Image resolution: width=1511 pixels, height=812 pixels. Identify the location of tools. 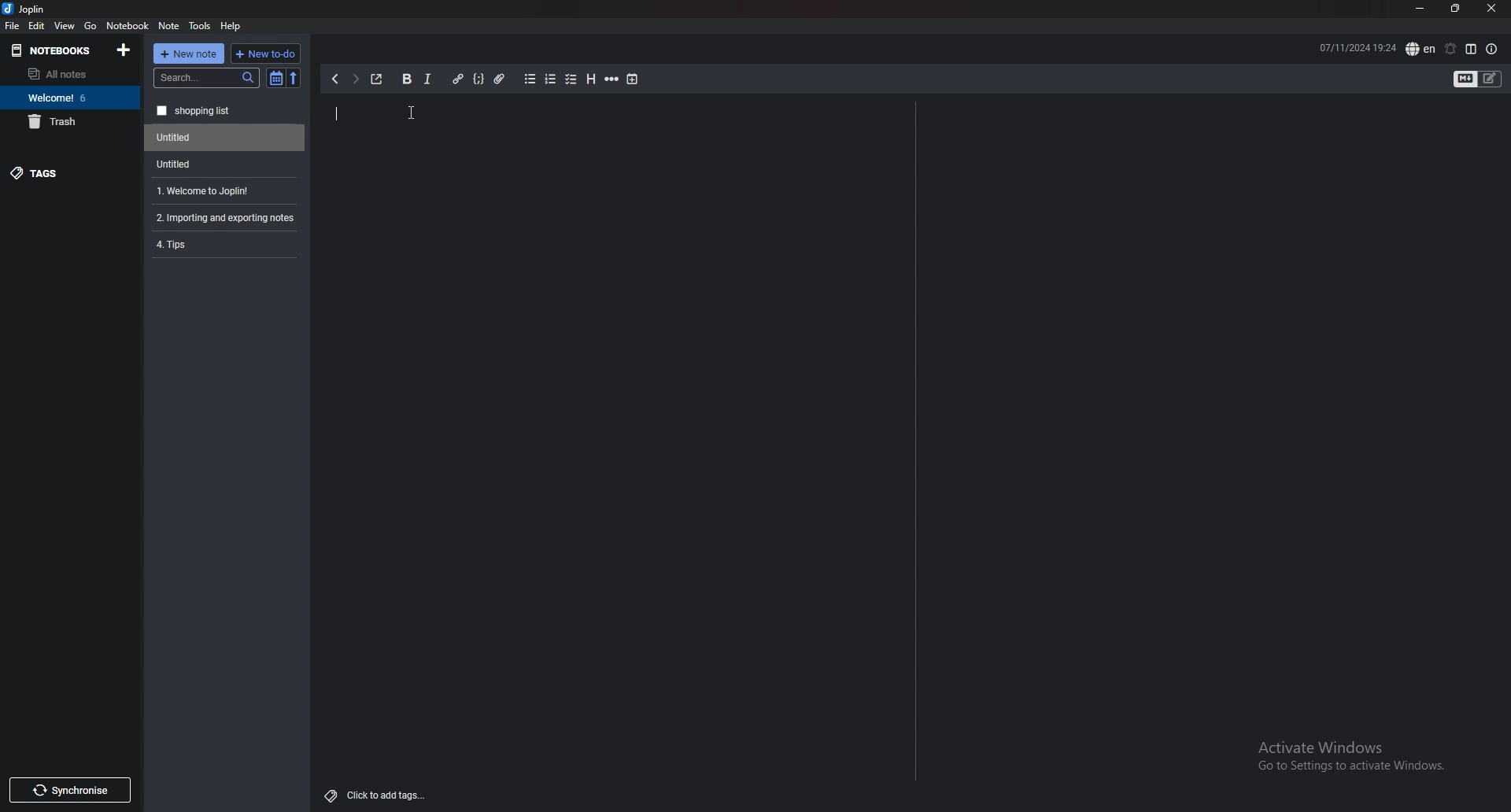
(201, 26).